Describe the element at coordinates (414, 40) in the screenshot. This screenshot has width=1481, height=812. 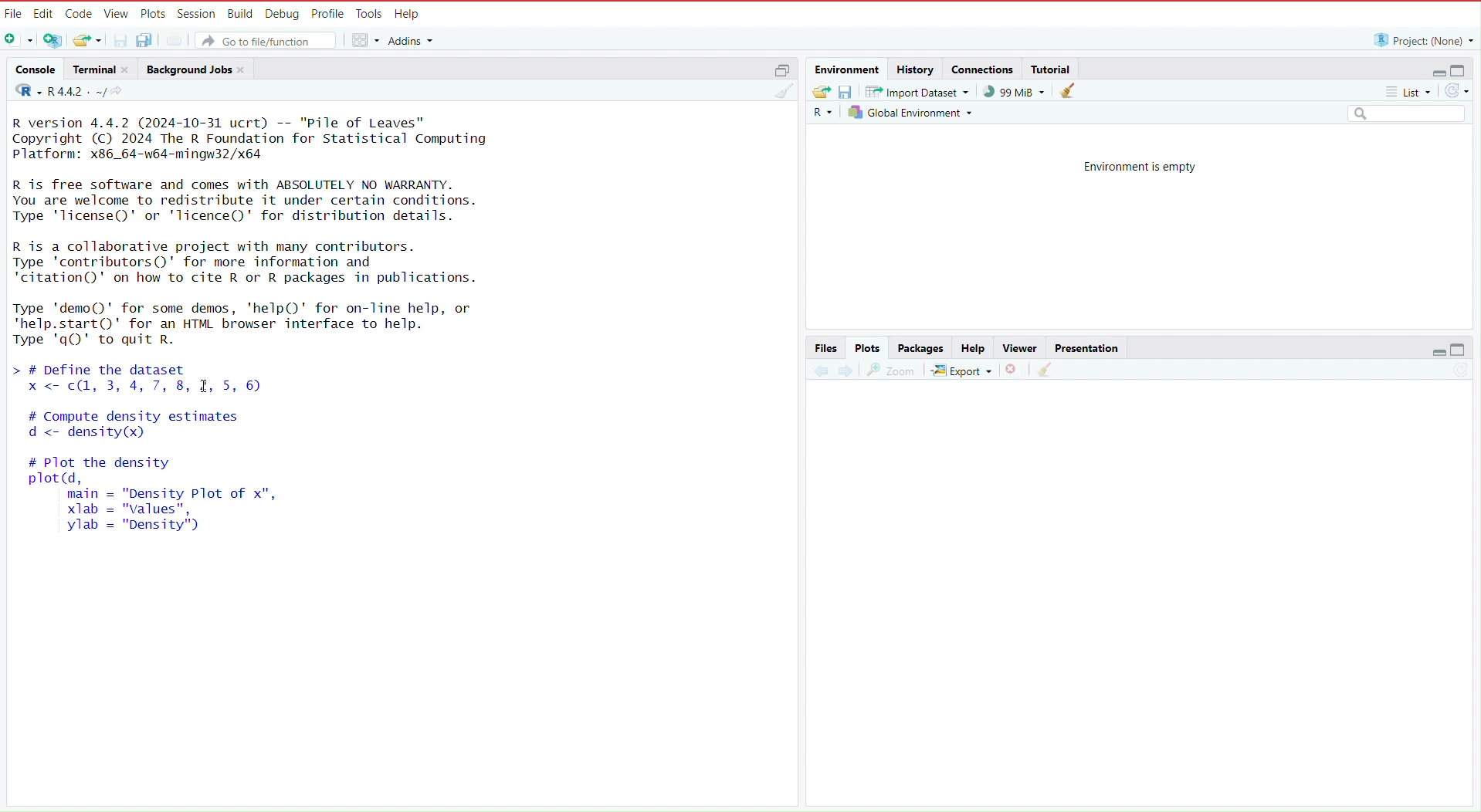
I see `addins` at that location.